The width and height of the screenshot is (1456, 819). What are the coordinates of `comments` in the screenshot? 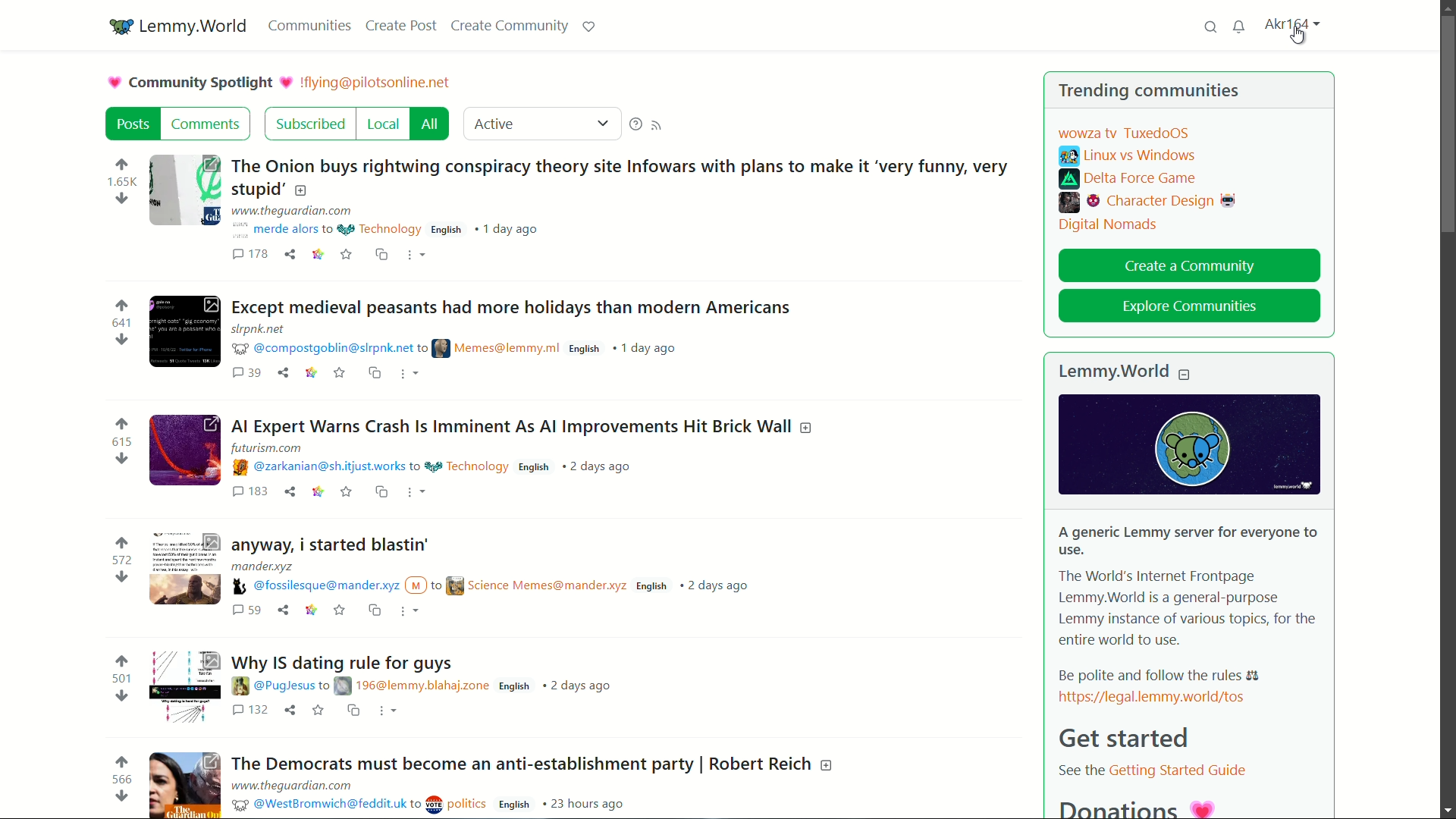 It's located at (249, 491).